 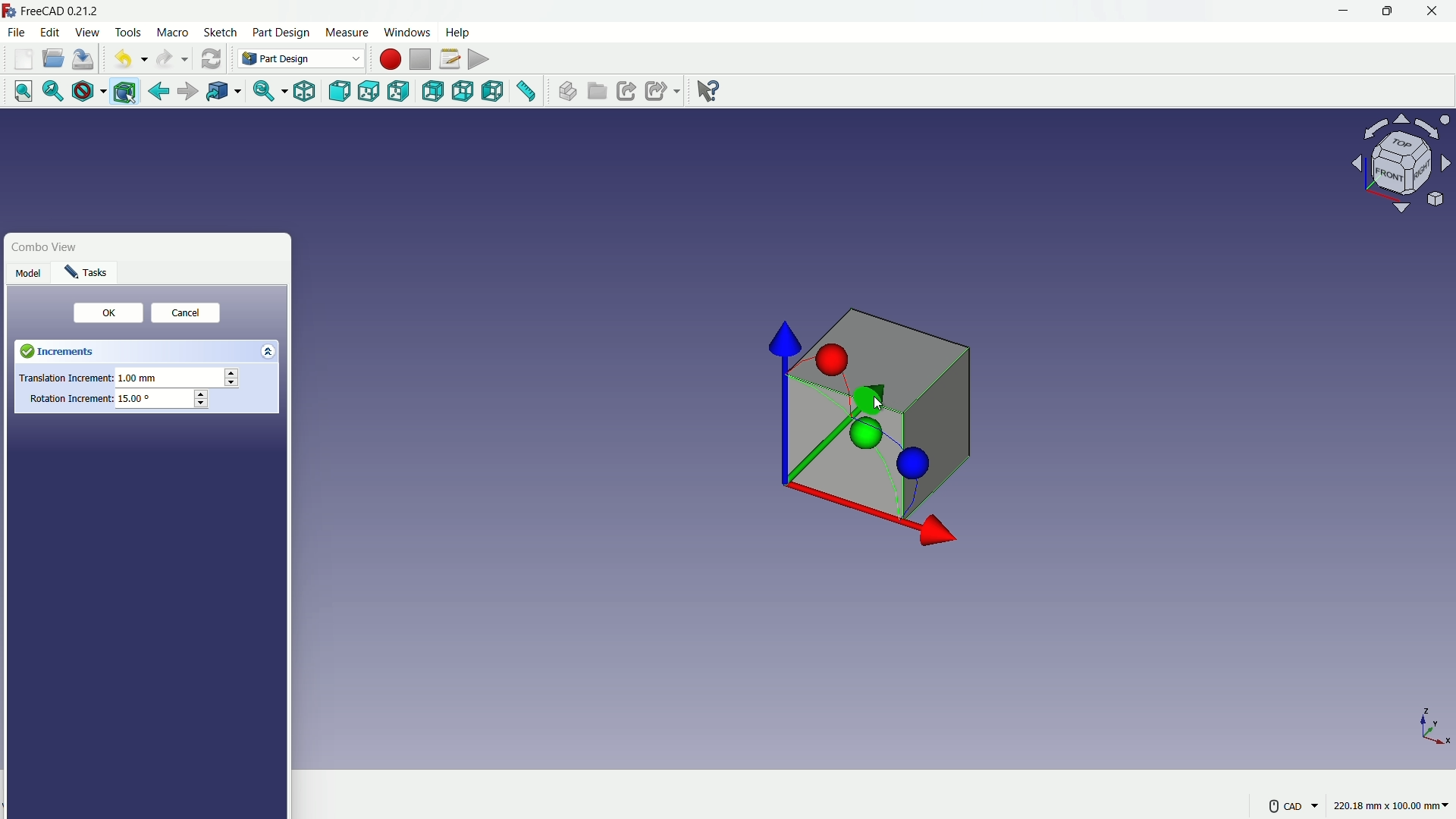 I want to click on new file, so click(x=24, y=59).